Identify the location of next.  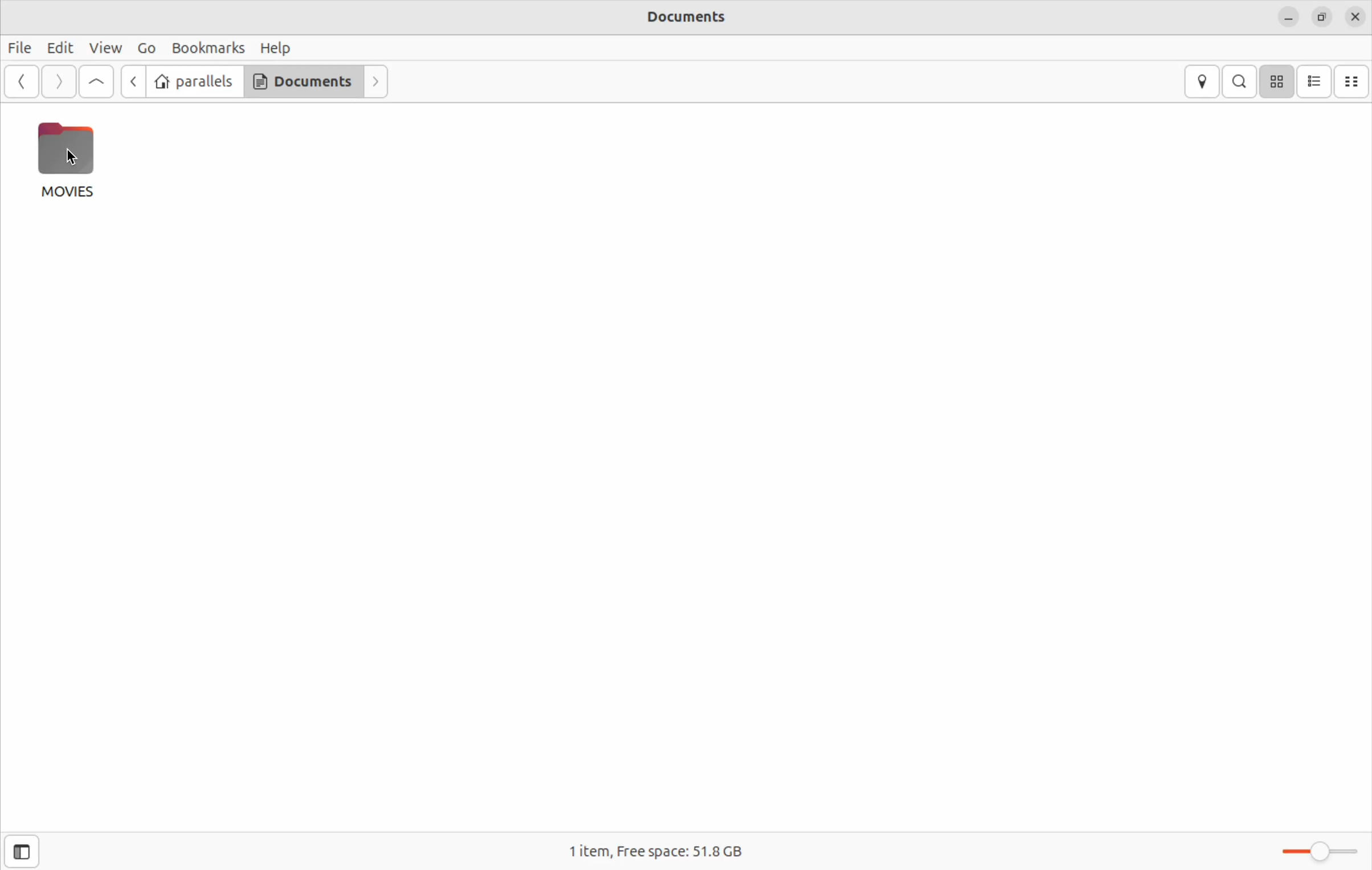
(59, 80).